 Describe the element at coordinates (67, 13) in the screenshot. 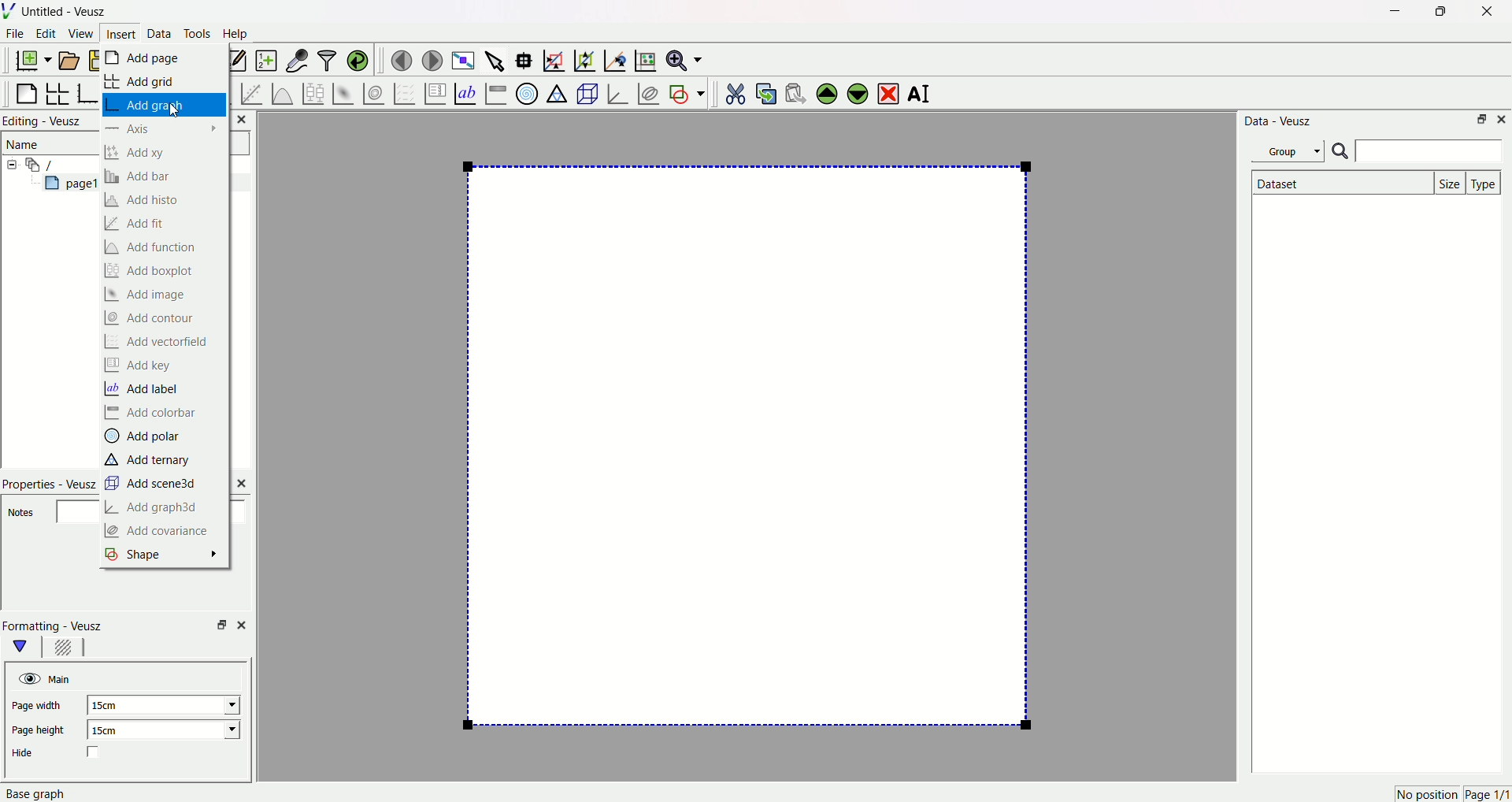

I see `Untitled - Veusz` at that location.